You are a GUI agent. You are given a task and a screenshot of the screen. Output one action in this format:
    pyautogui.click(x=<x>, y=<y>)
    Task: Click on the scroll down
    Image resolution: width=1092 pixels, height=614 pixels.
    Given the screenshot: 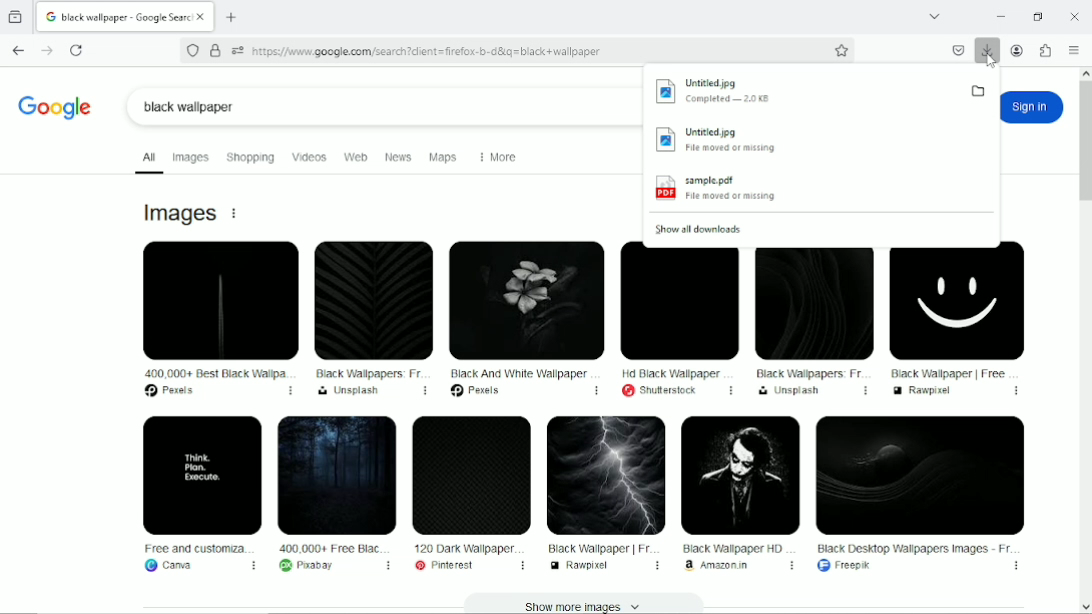 What is the action you would take?
    pyautogui.click(x=1085, y=607)
    